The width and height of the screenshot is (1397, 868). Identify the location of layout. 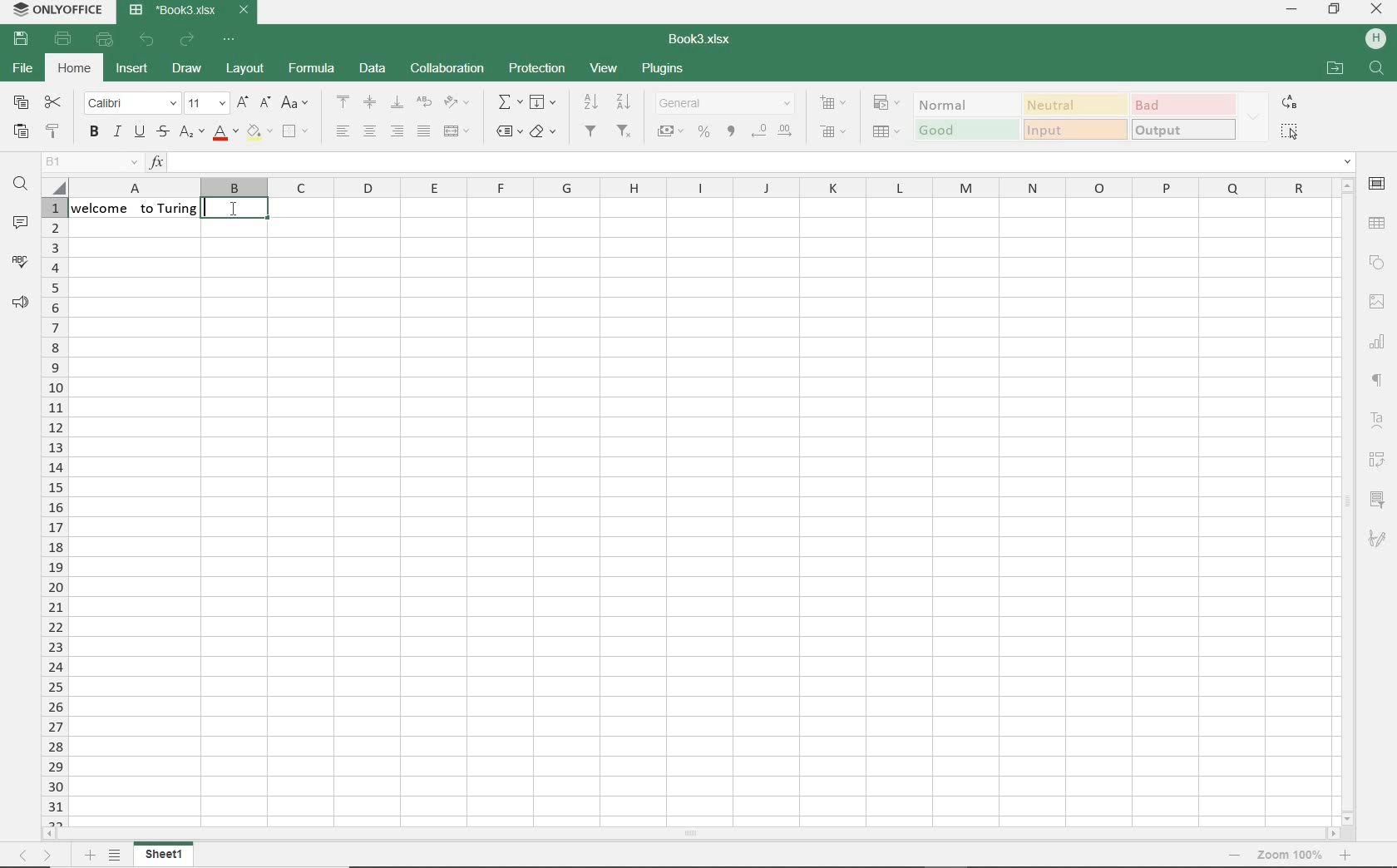
(247, 70).